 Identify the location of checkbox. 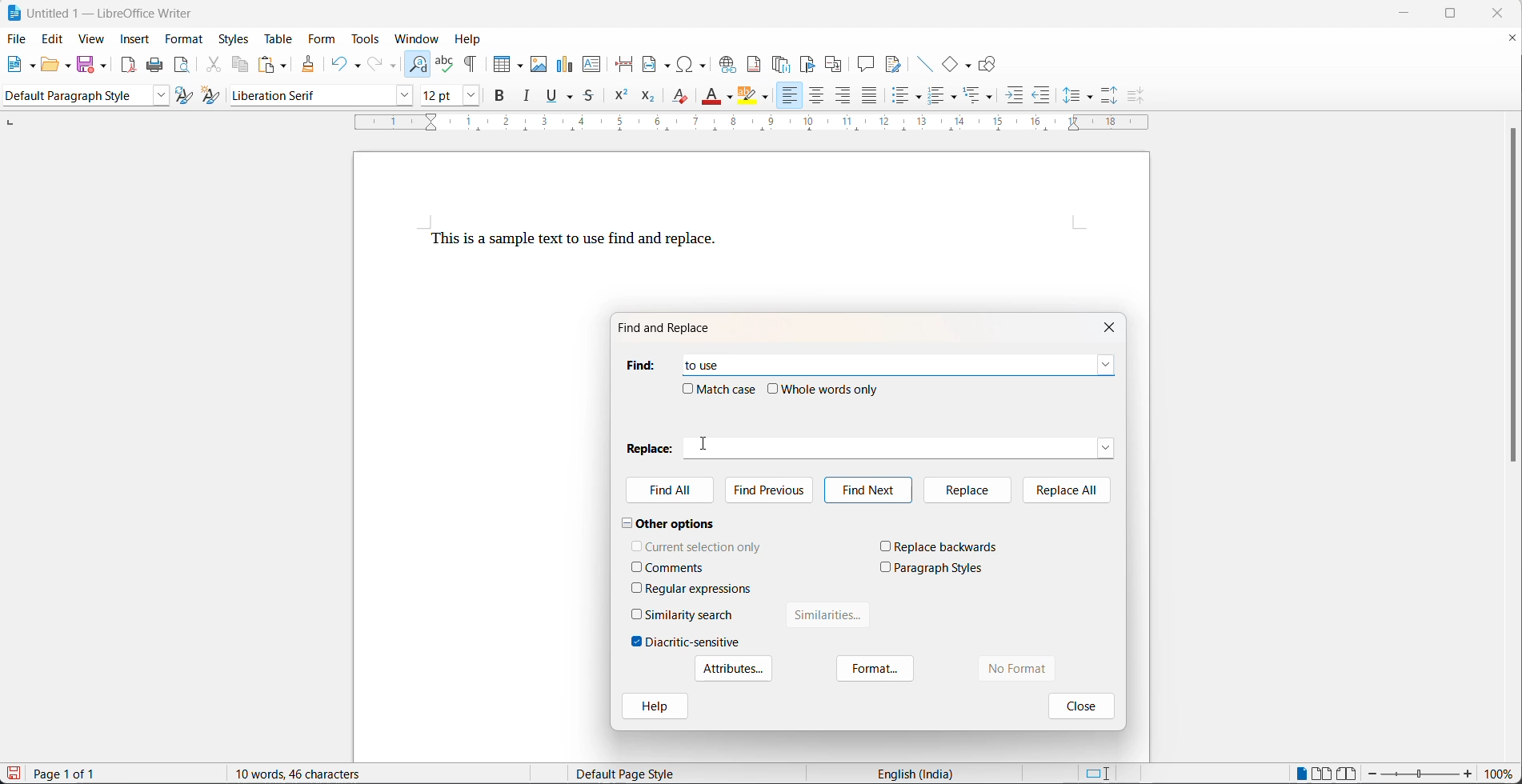
(774, 389).